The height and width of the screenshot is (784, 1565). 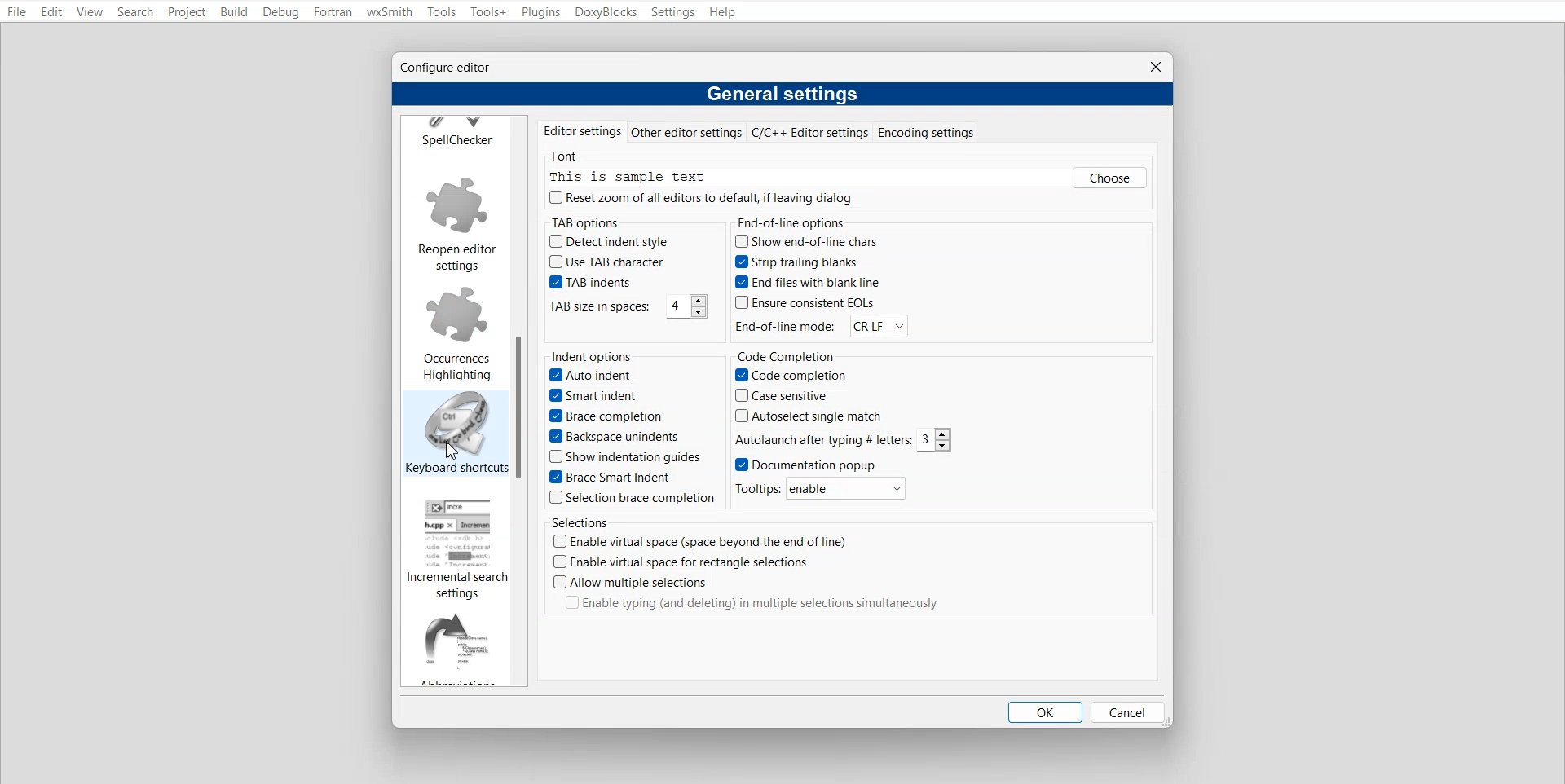 What do you see at coordinates (592, 282) in the screenshot?
I see `TAB indents` at bounding box center [592, 282].